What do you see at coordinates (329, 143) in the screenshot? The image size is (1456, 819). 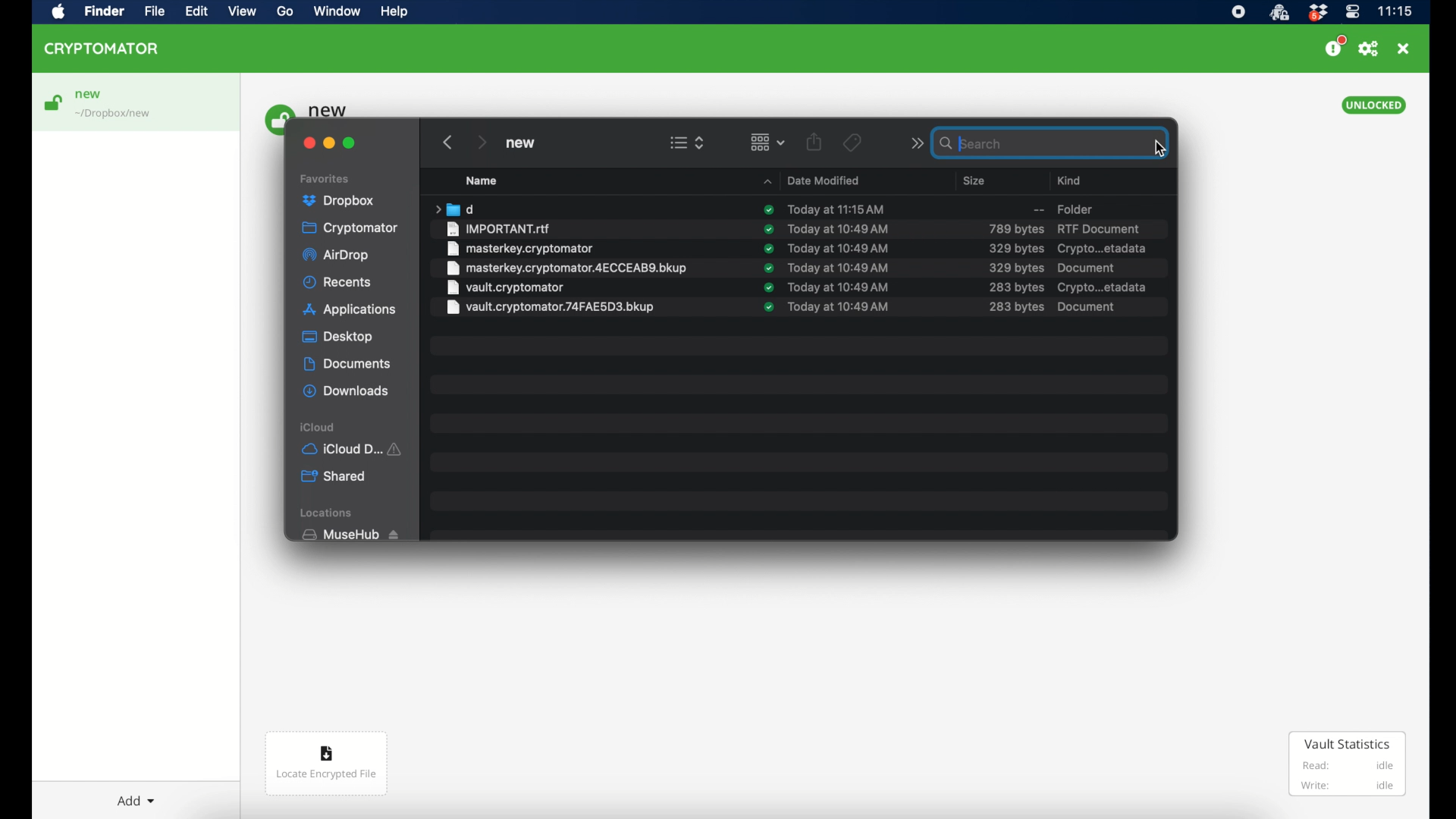 I see `minimize` at bounding box center [329, 143].